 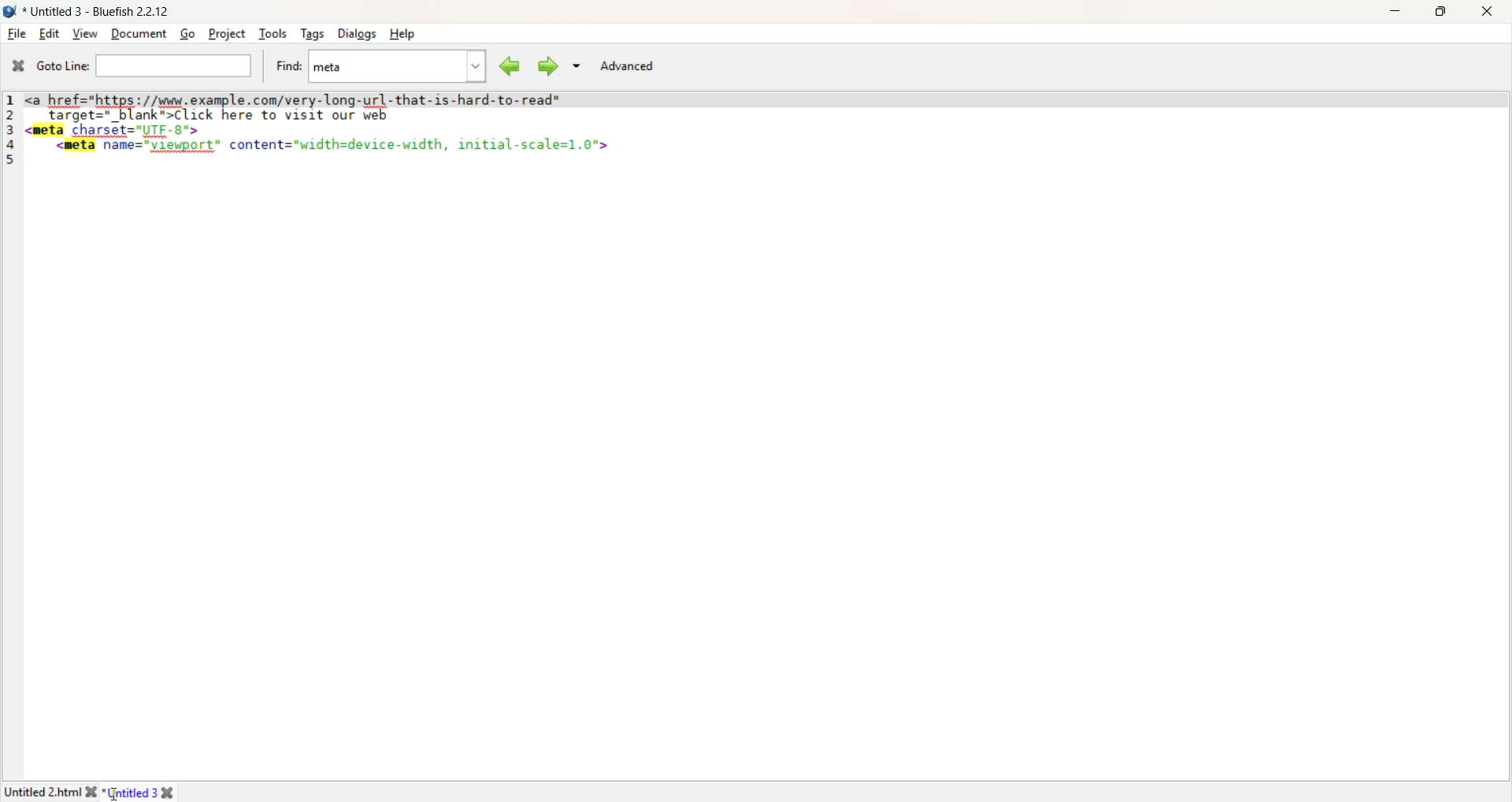 I want to click on Untitled 3, so click(x=131, y=791).